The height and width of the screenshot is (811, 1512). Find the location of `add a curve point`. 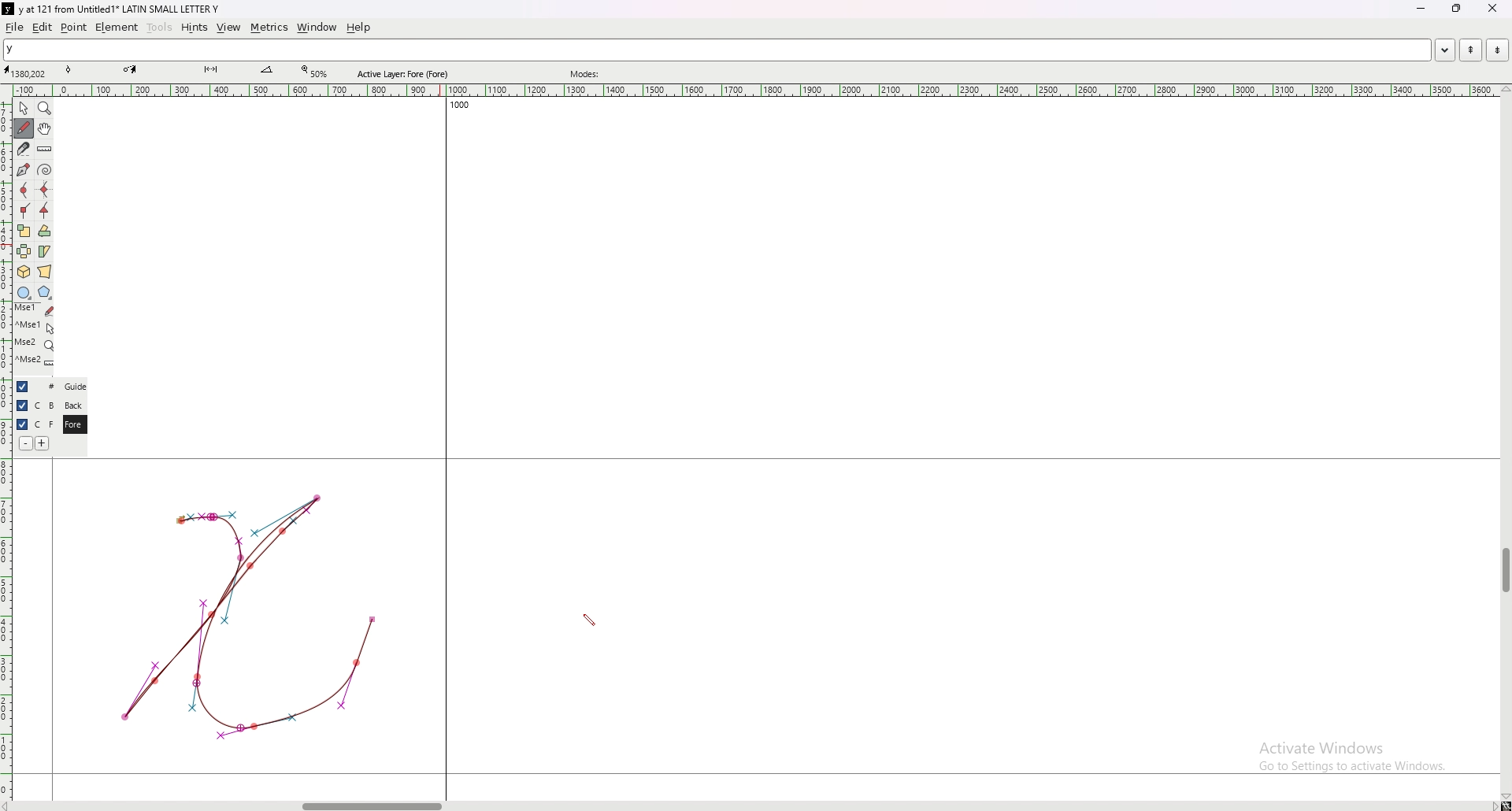

add a curve point is located at coordinates (24, 191).